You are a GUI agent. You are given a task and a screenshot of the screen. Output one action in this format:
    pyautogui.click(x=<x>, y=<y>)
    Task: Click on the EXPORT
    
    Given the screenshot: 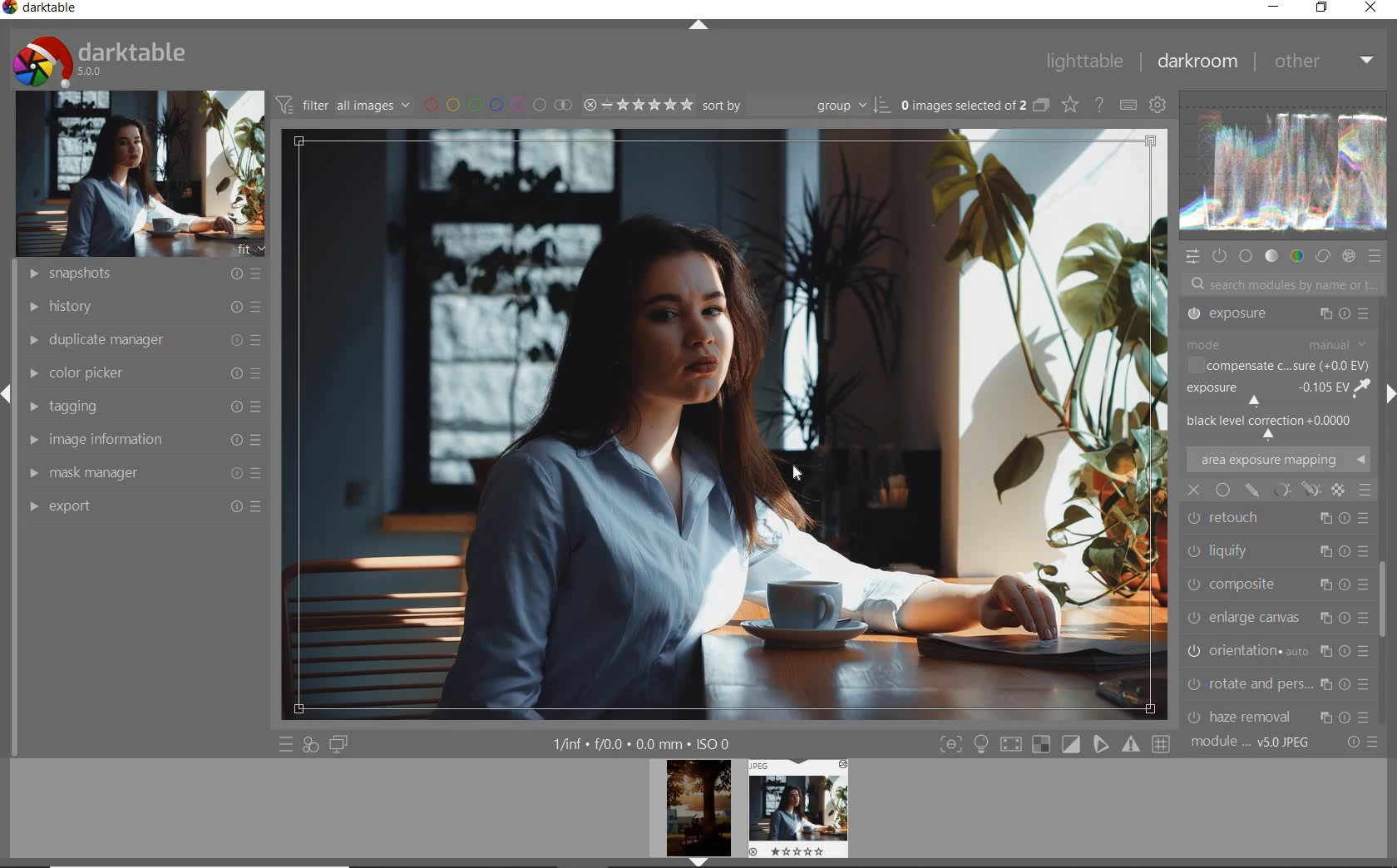 What is the action you would take?
    pyautogui.click(x=146, y=506)
    